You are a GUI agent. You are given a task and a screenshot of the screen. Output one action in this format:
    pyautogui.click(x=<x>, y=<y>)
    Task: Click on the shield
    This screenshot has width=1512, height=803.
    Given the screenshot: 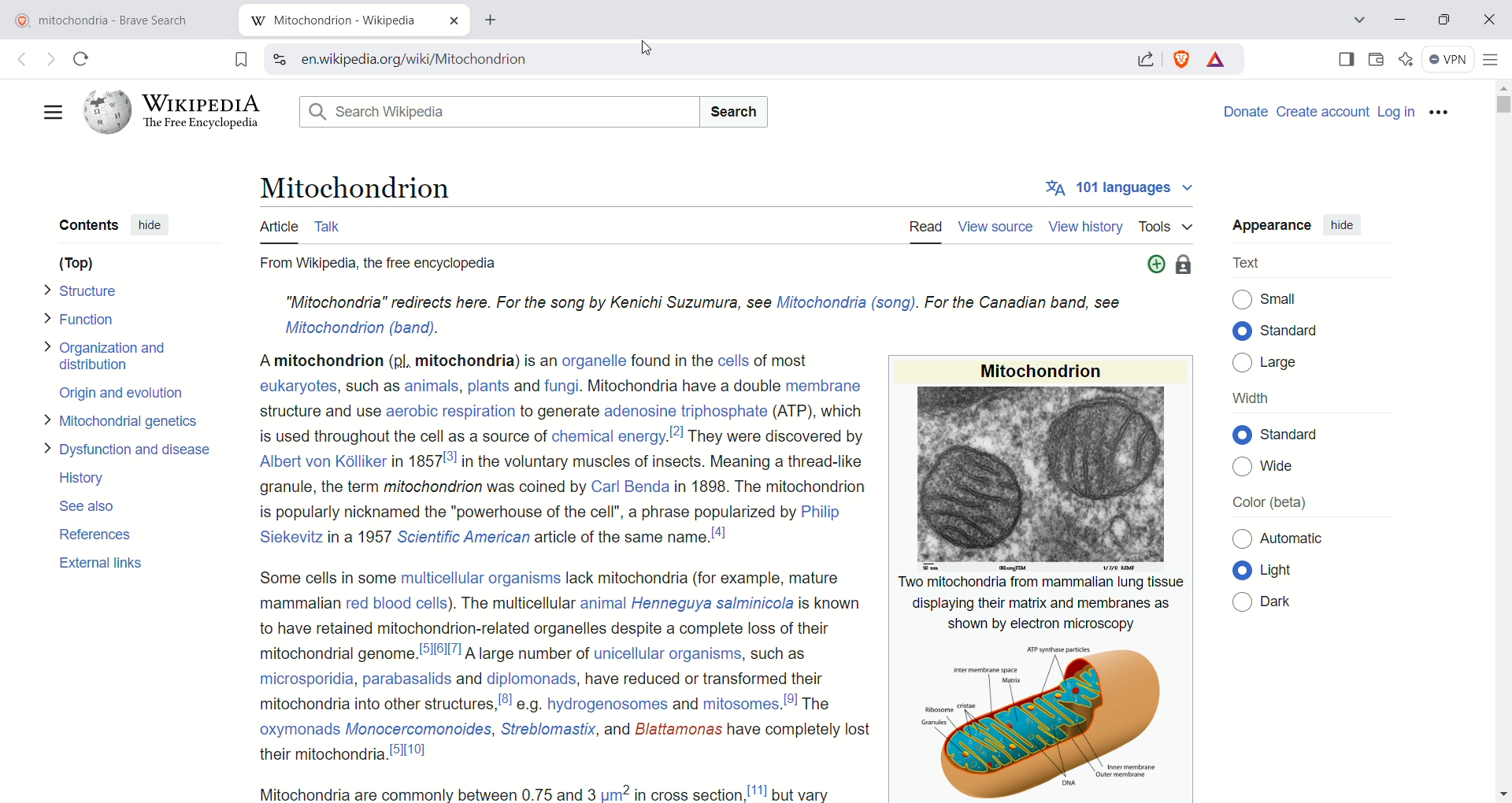 What is the action you would take?
    pyautogui.click(x=1184, y=57)
    